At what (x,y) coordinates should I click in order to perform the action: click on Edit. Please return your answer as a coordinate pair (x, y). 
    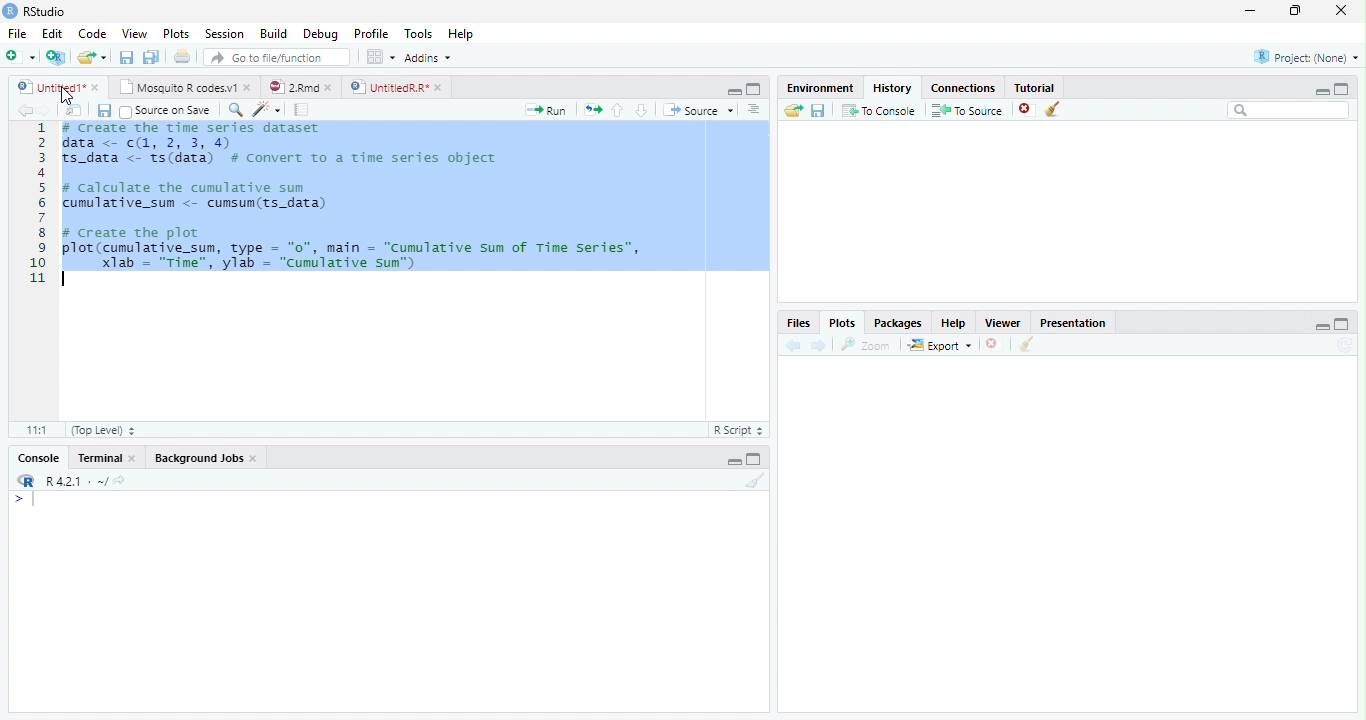
    Looking at the image, I should click on (55, 36).